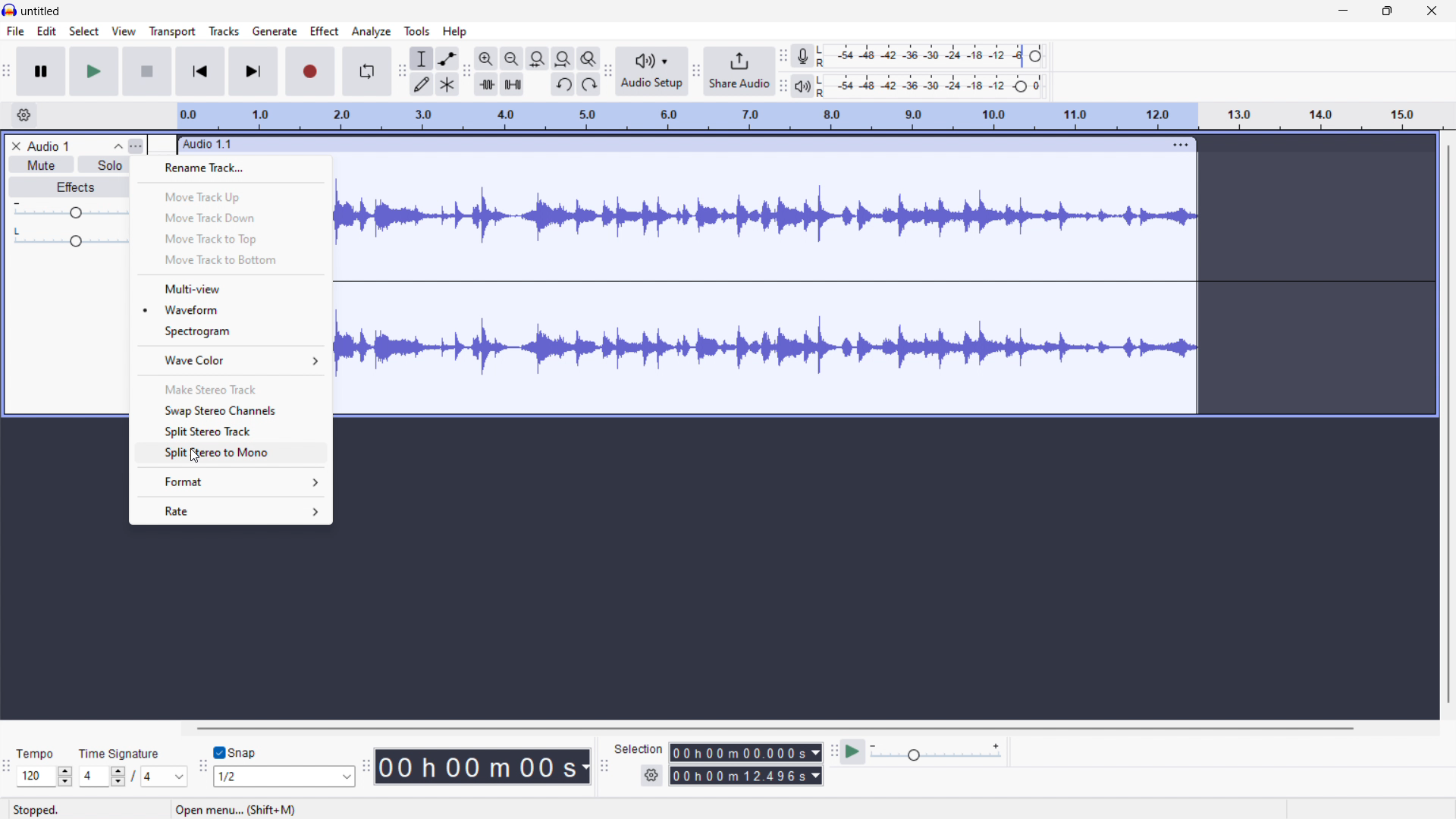  Describe the element at coordinates (230, 169) in the screenshot. I see `rename track` at that location.